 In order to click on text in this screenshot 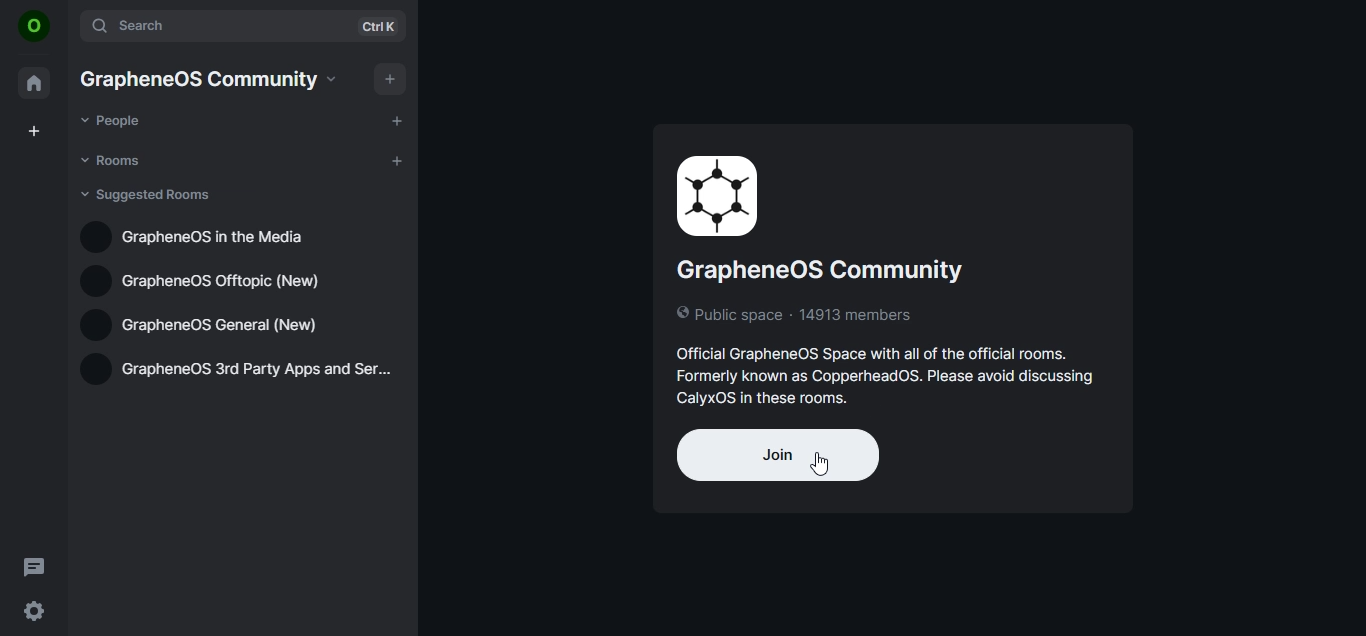, I will do `click(898, 284)`.